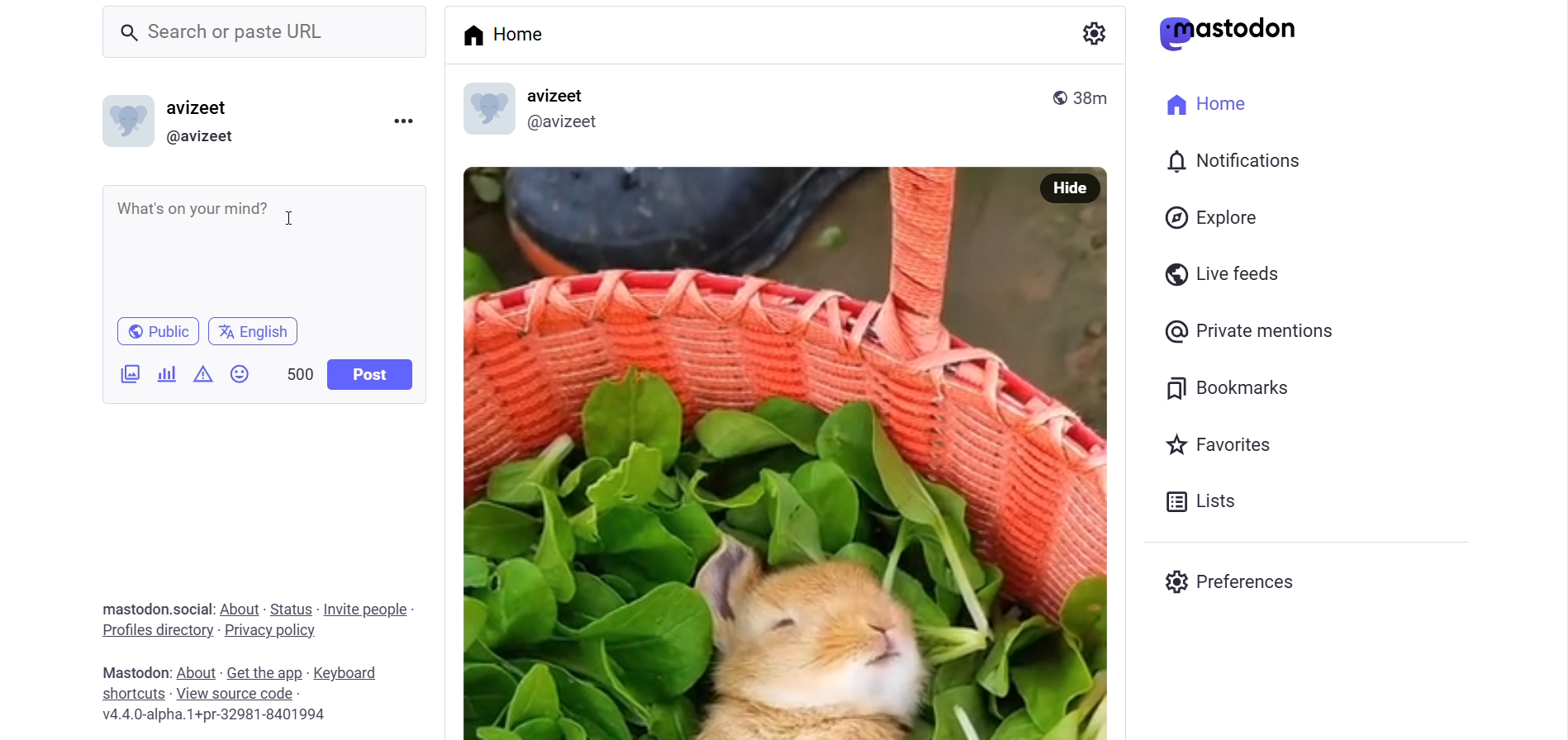  I want to click on Whats on your mind, so click(260, 248).